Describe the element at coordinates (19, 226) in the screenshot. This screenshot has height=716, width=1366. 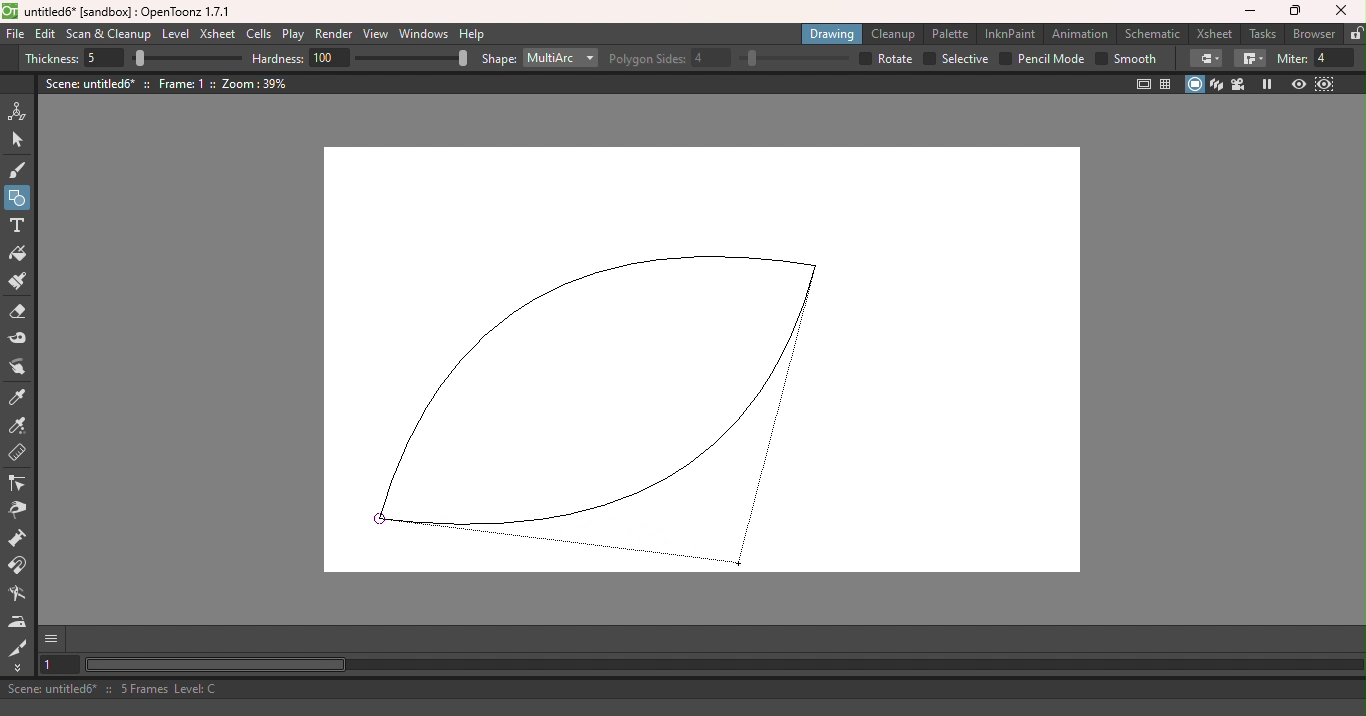
I see `Type tool` at that location.